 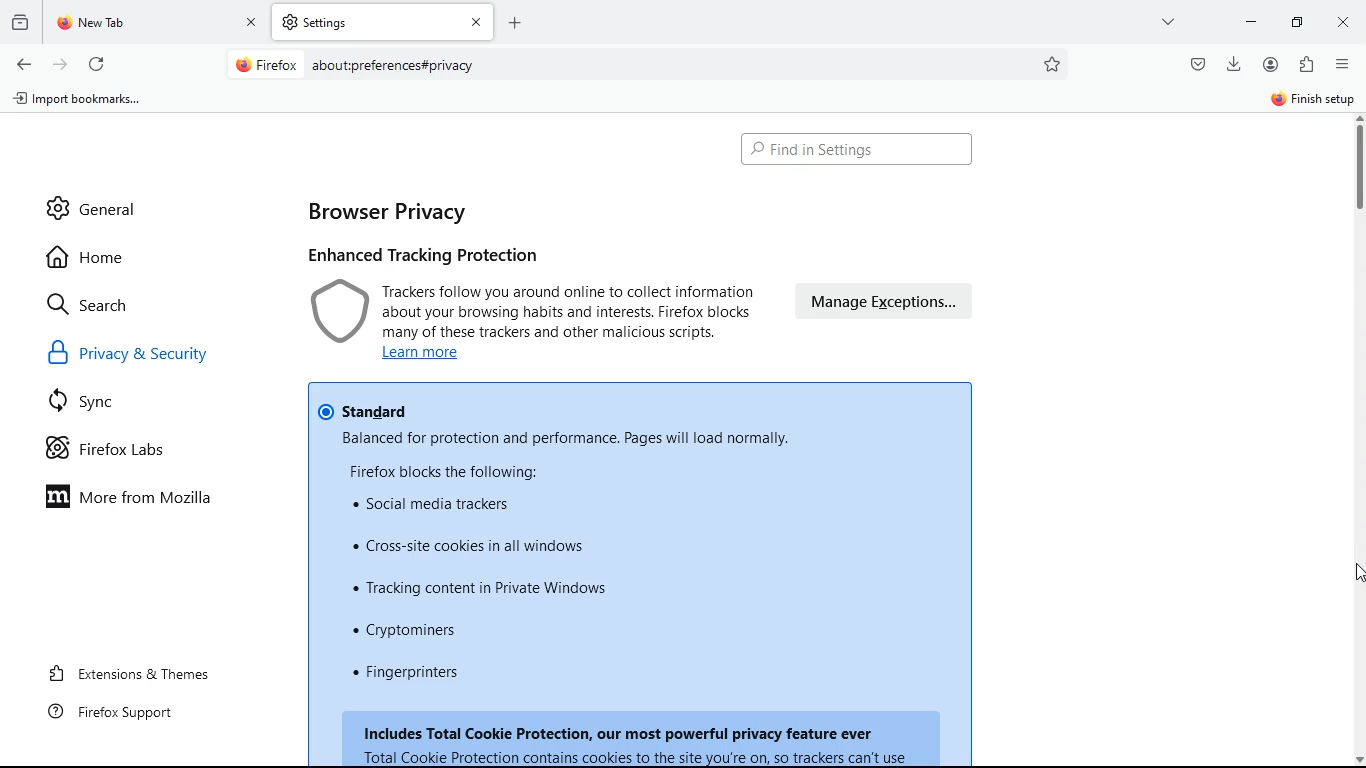 I want to click on more, so click(x=1171, y=21).